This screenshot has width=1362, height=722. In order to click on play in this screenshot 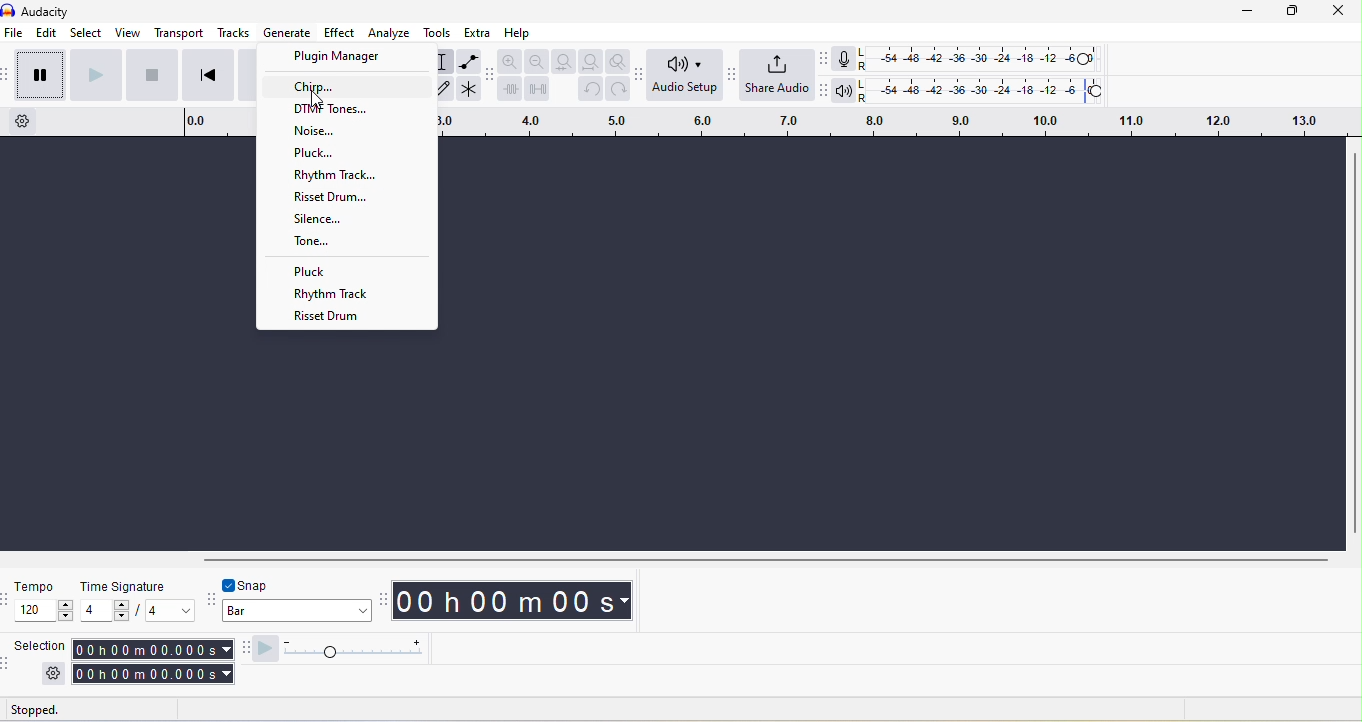, I will do `click(98, 76)`.